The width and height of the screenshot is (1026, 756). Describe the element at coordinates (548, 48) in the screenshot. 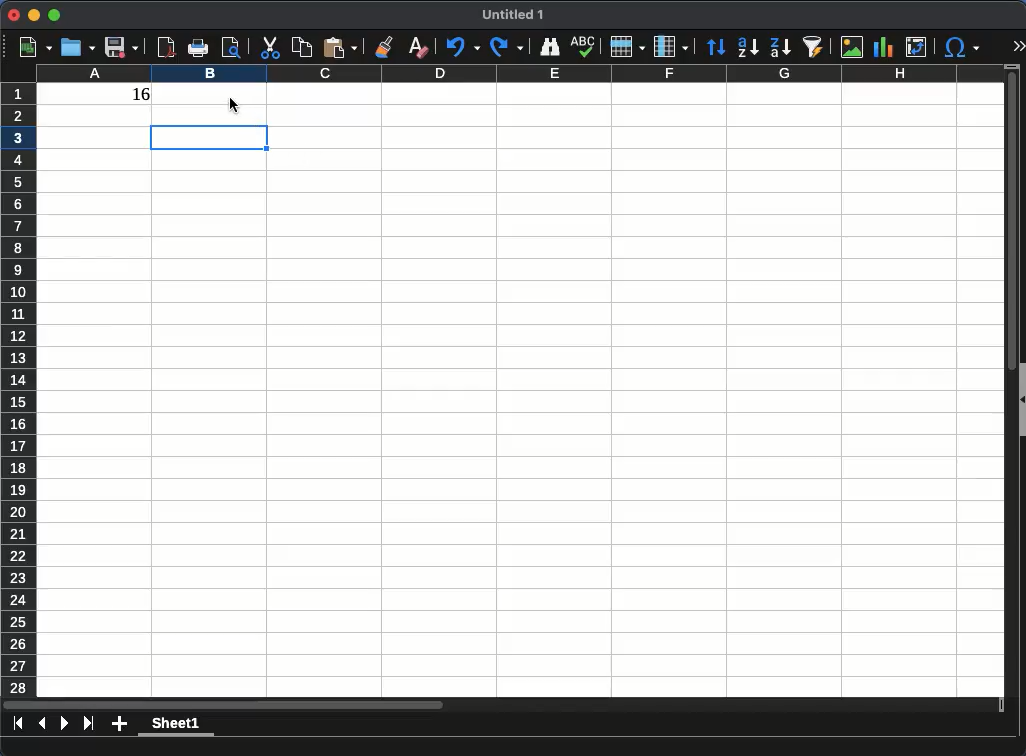

I see `finder` at that location.